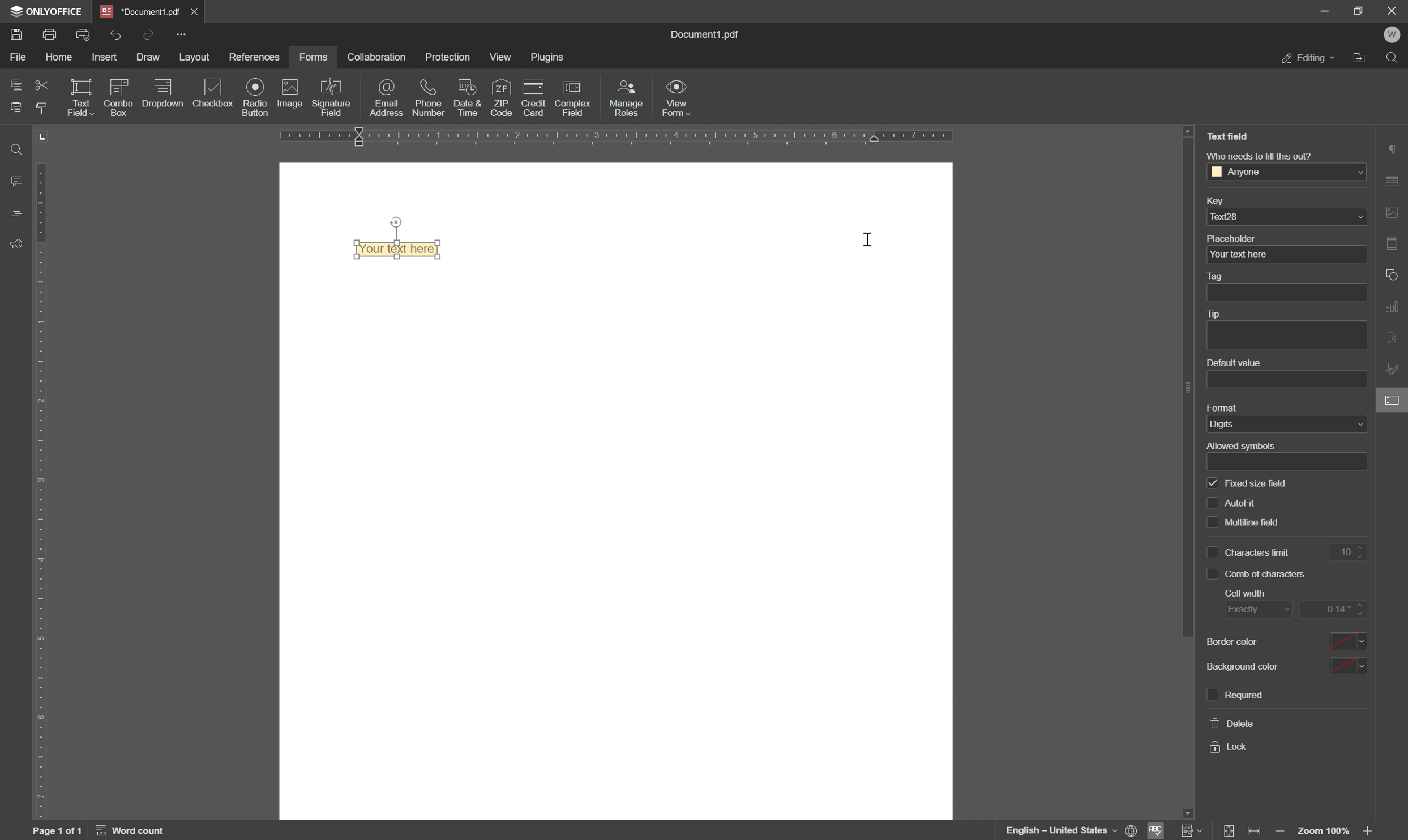 The height and width of the screenshot is (840, 1408). I want to click on icon, so click(118, 87).